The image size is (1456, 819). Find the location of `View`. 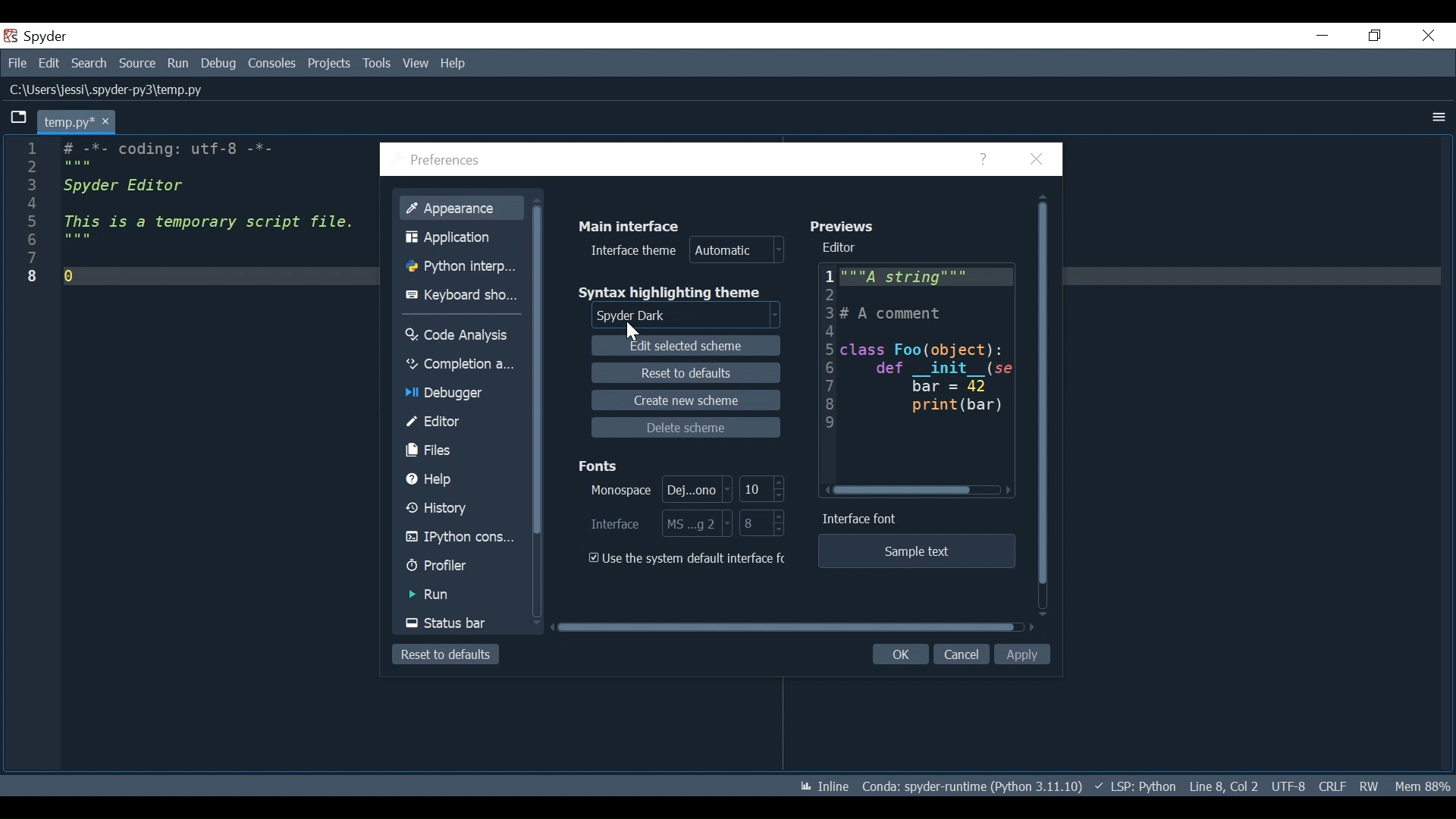

View is located at coordinates (417, 64).